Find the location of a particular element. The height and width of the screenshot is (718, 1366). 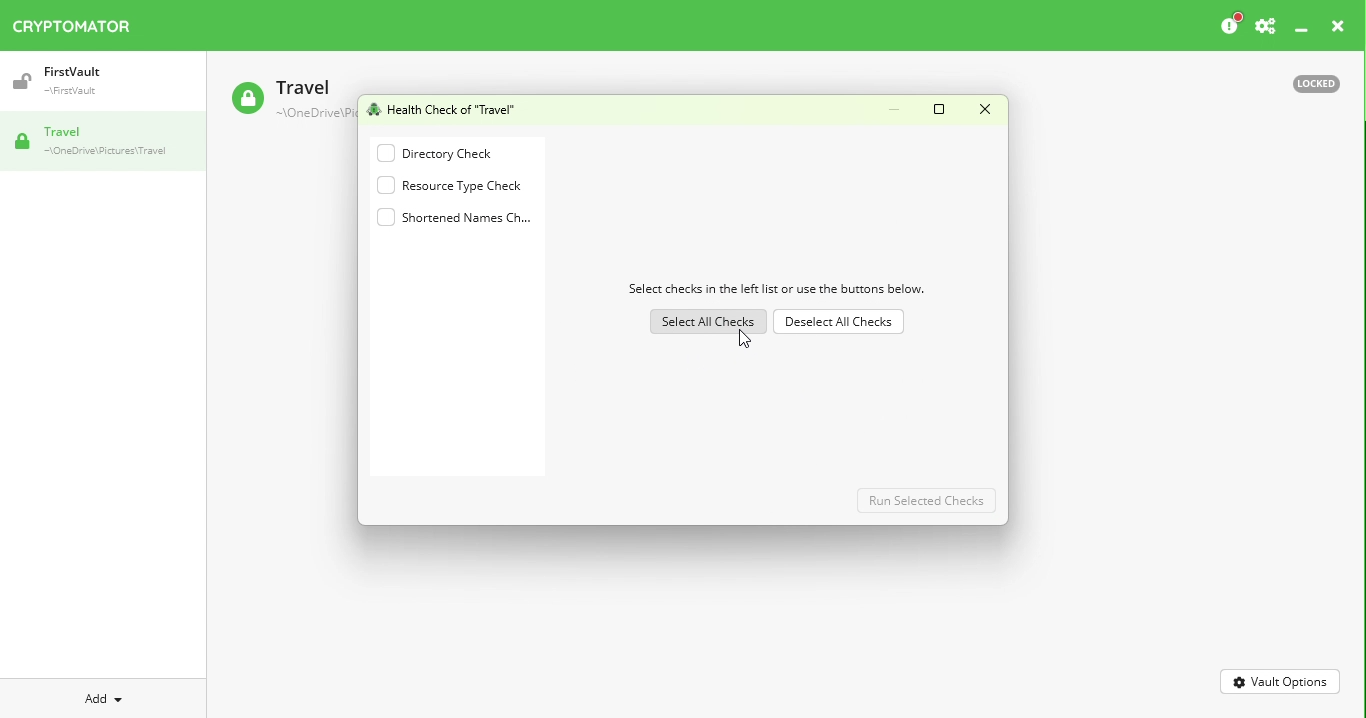

Vault is located at coordinates (68, 77).